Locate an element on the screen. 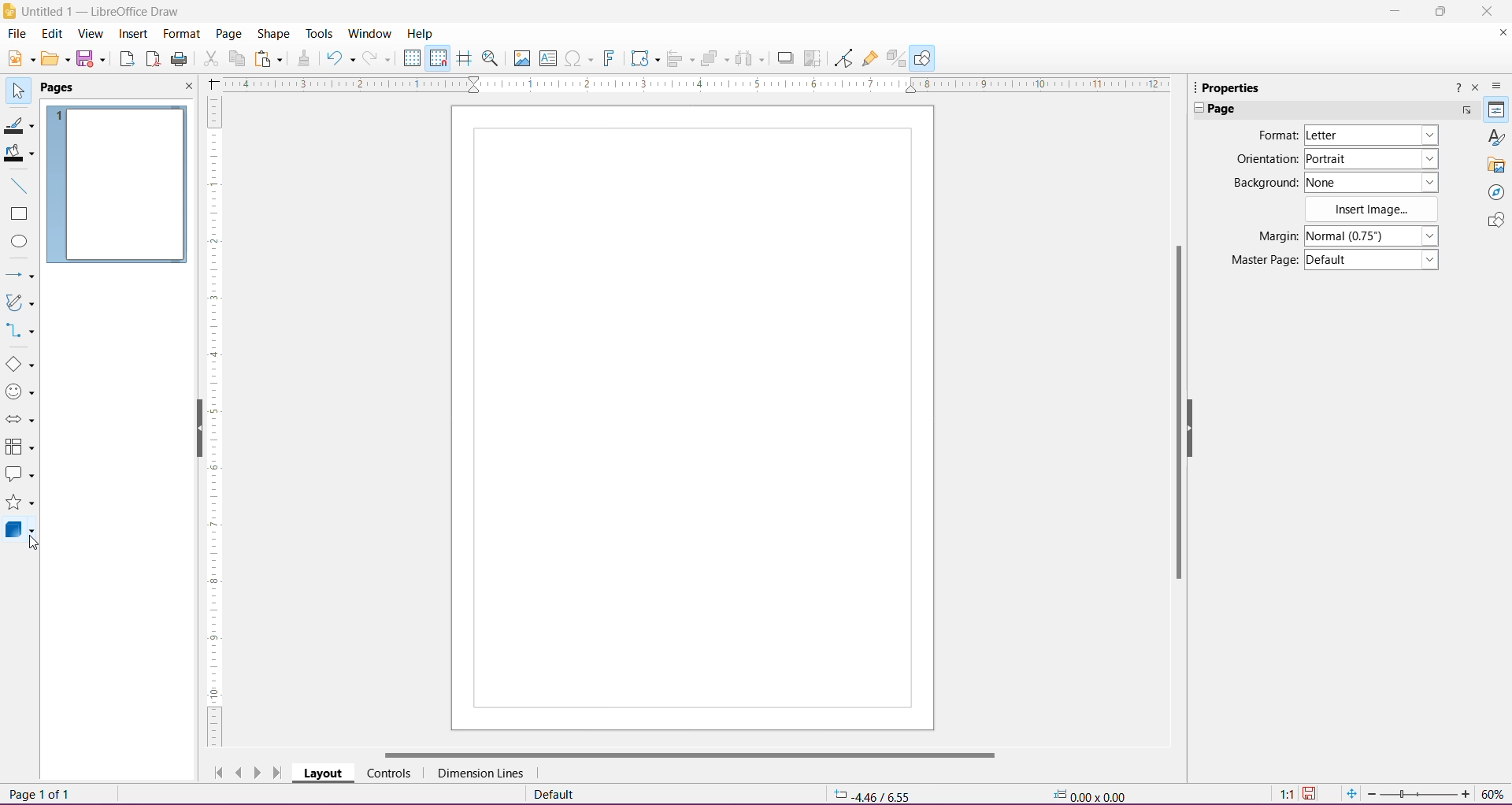 This screenshot has width=1512, height=805. Scroll to last page is located at coordinates (279, 773).